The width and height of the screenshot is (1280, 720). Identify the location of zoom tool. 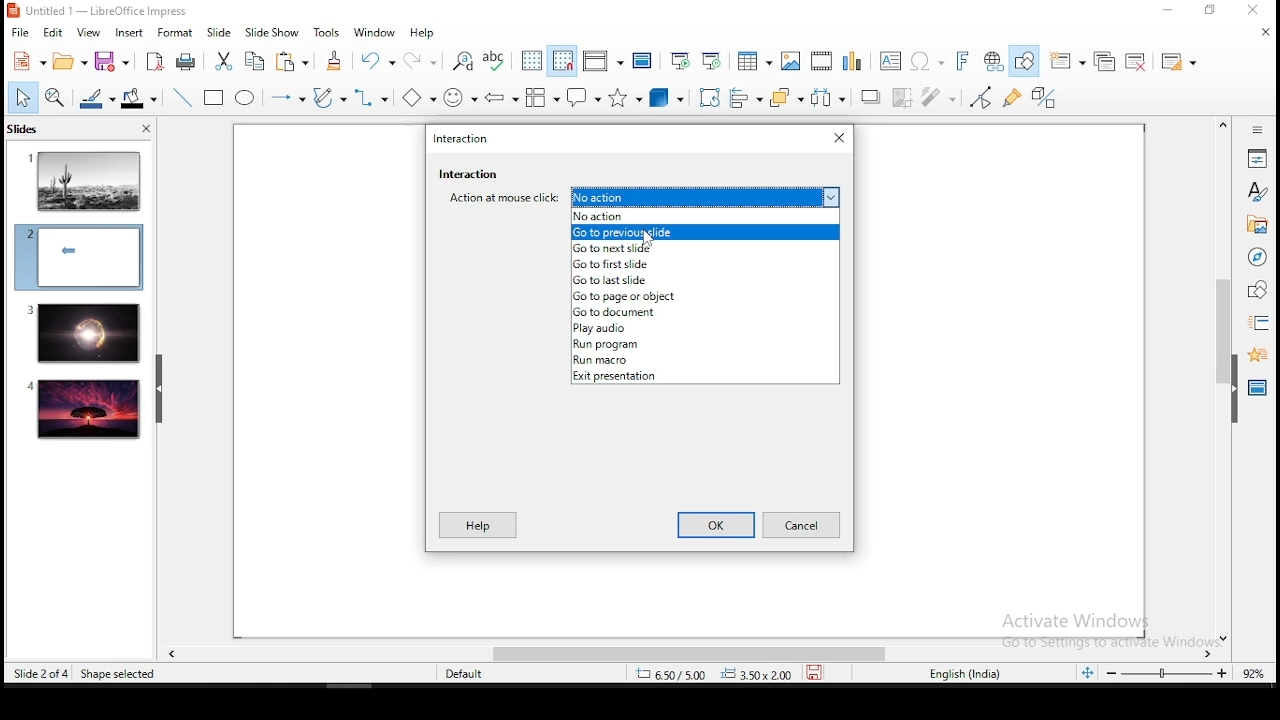
(55, 99).